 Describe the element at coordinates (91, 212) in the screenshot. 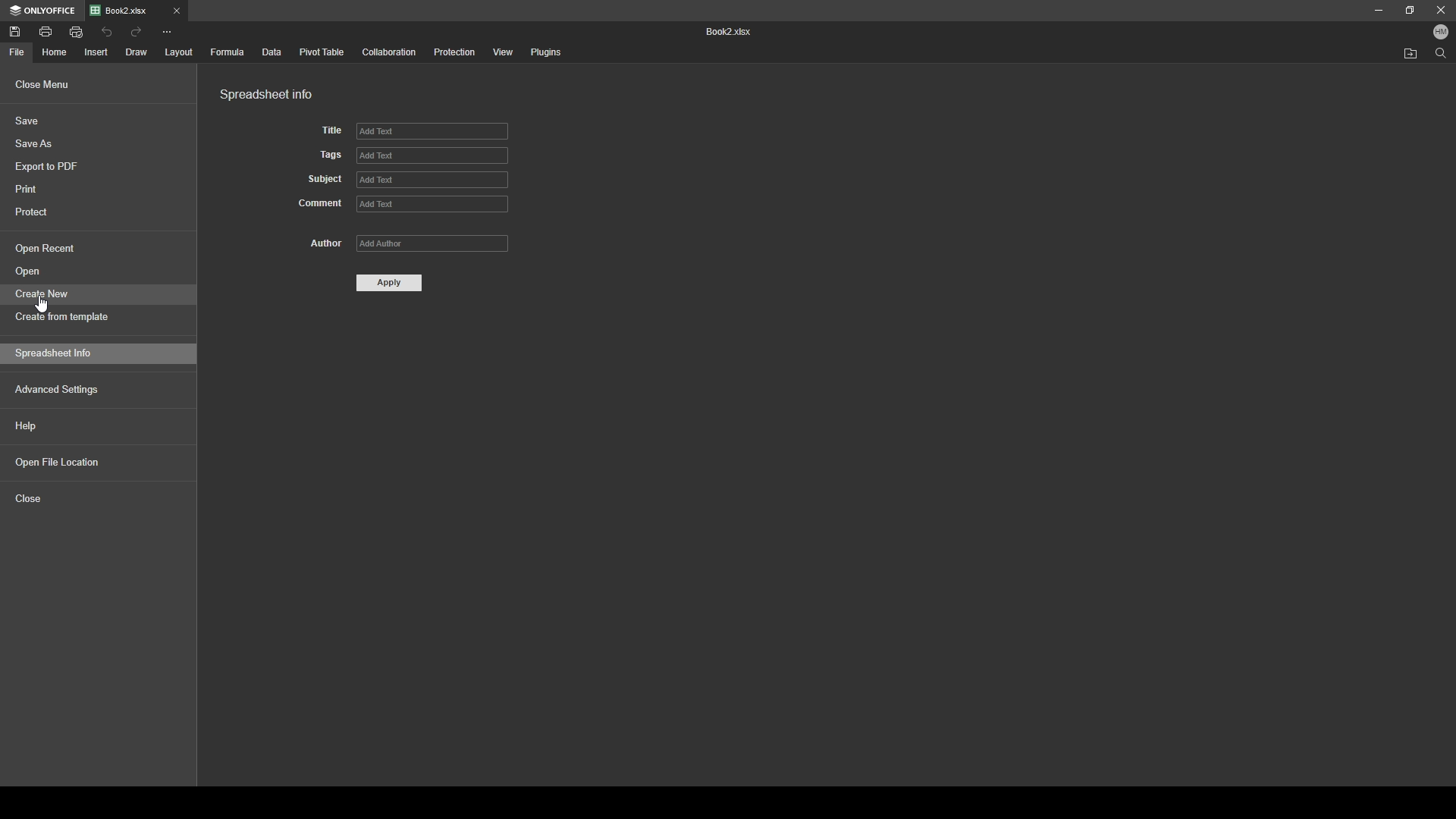

I see `protect` at that location.